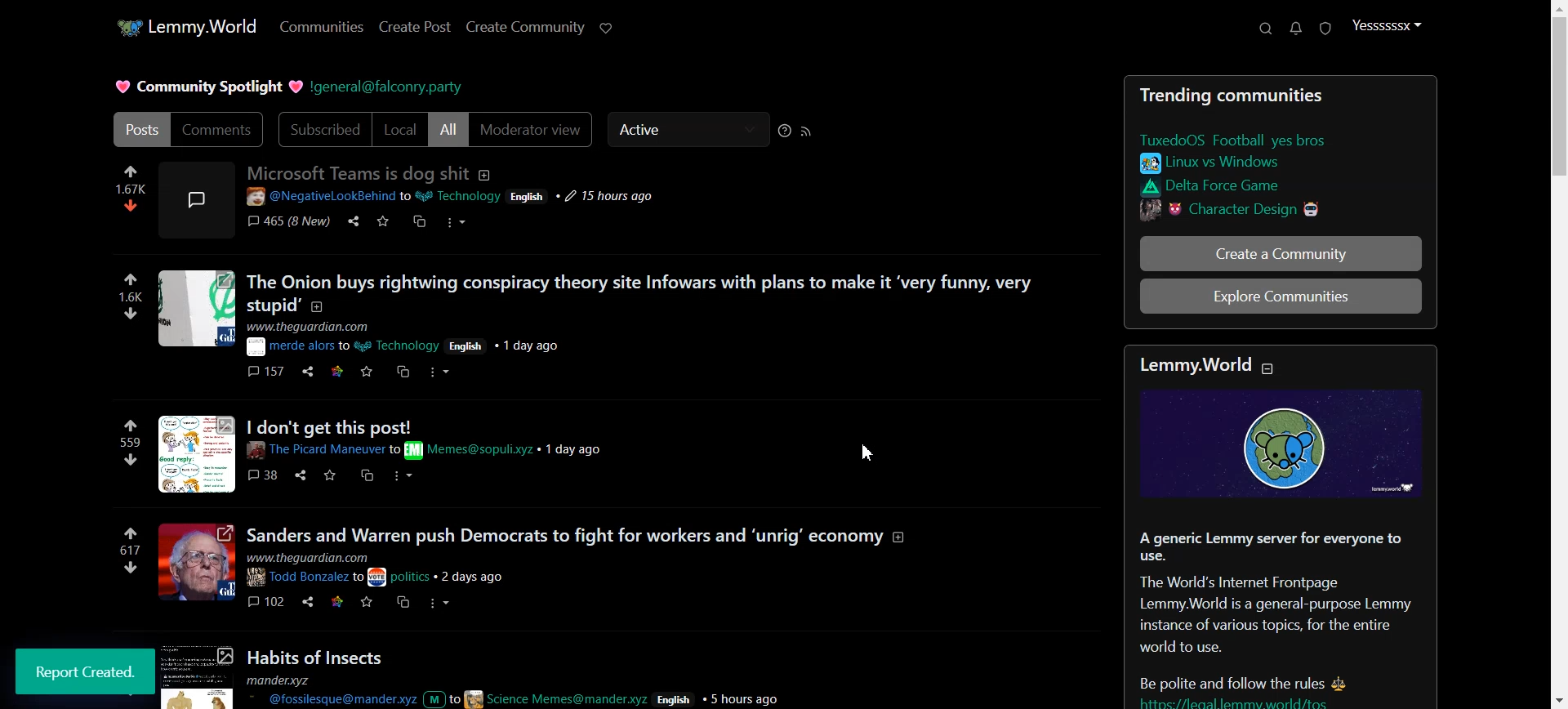 This screenshot has height=709, width=1568. What do you see at coordinates (82, 672) in the screenshot?
I see `report created` at bounding box center [82, 672].